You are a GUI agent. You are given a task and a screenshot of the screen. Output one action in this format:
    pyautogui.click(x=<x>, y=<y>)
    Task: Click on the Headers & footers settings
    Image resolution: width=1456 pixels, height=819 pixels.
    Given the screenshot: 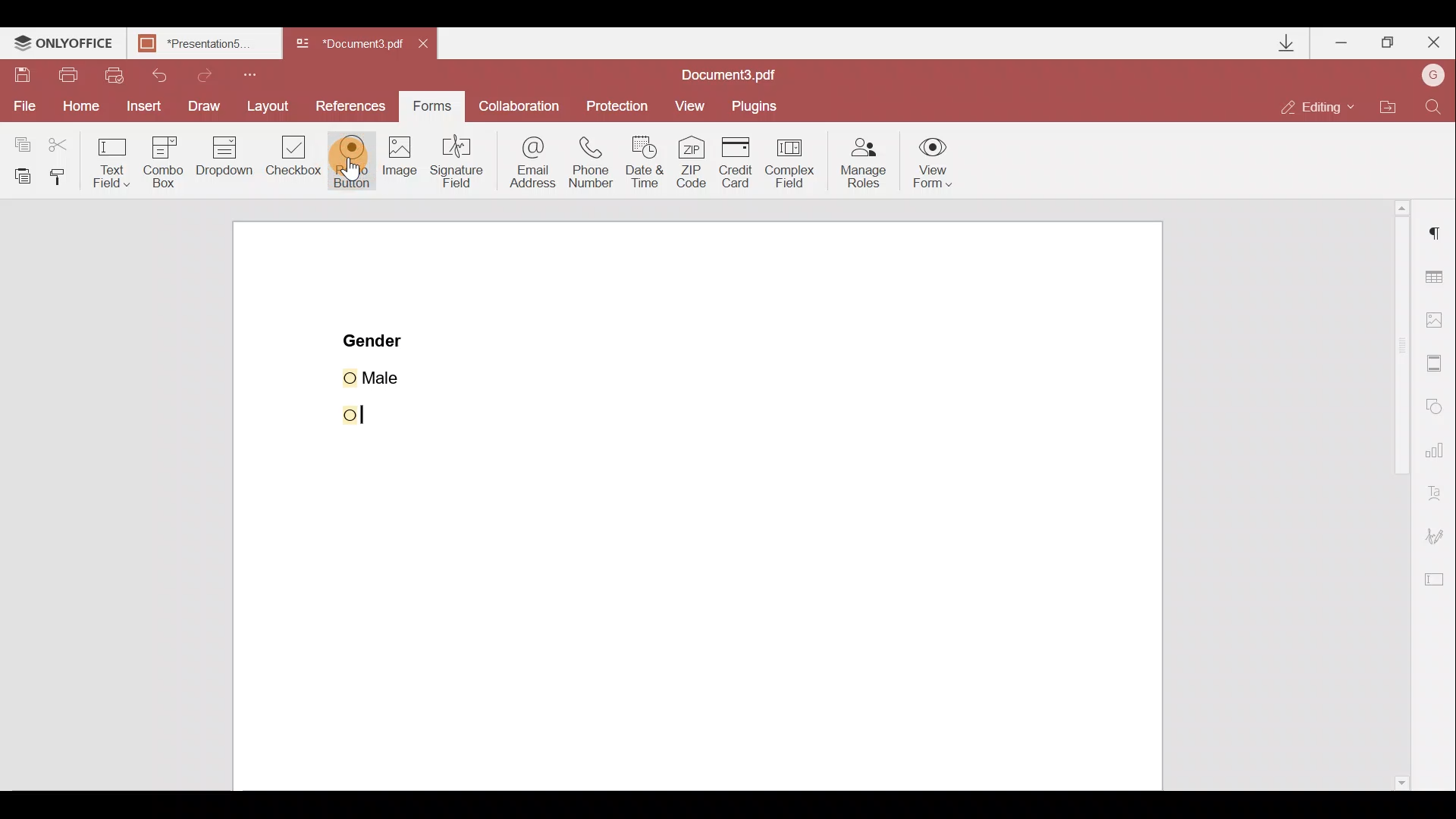 What is the action you would take?
    pyautogui.click(x=1436, y=366)
    